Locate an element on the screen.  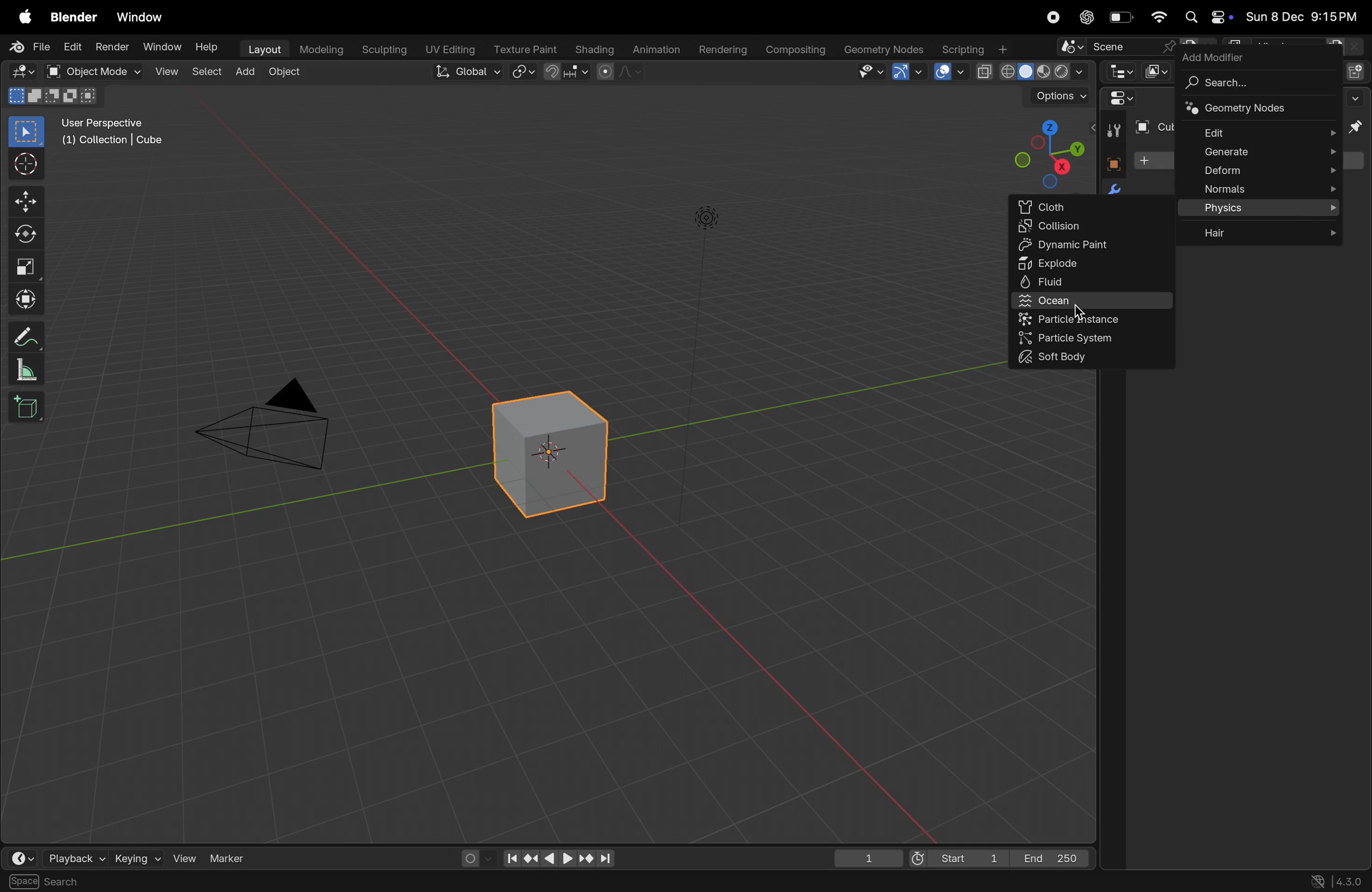
view is located at coordinates (167, 73).